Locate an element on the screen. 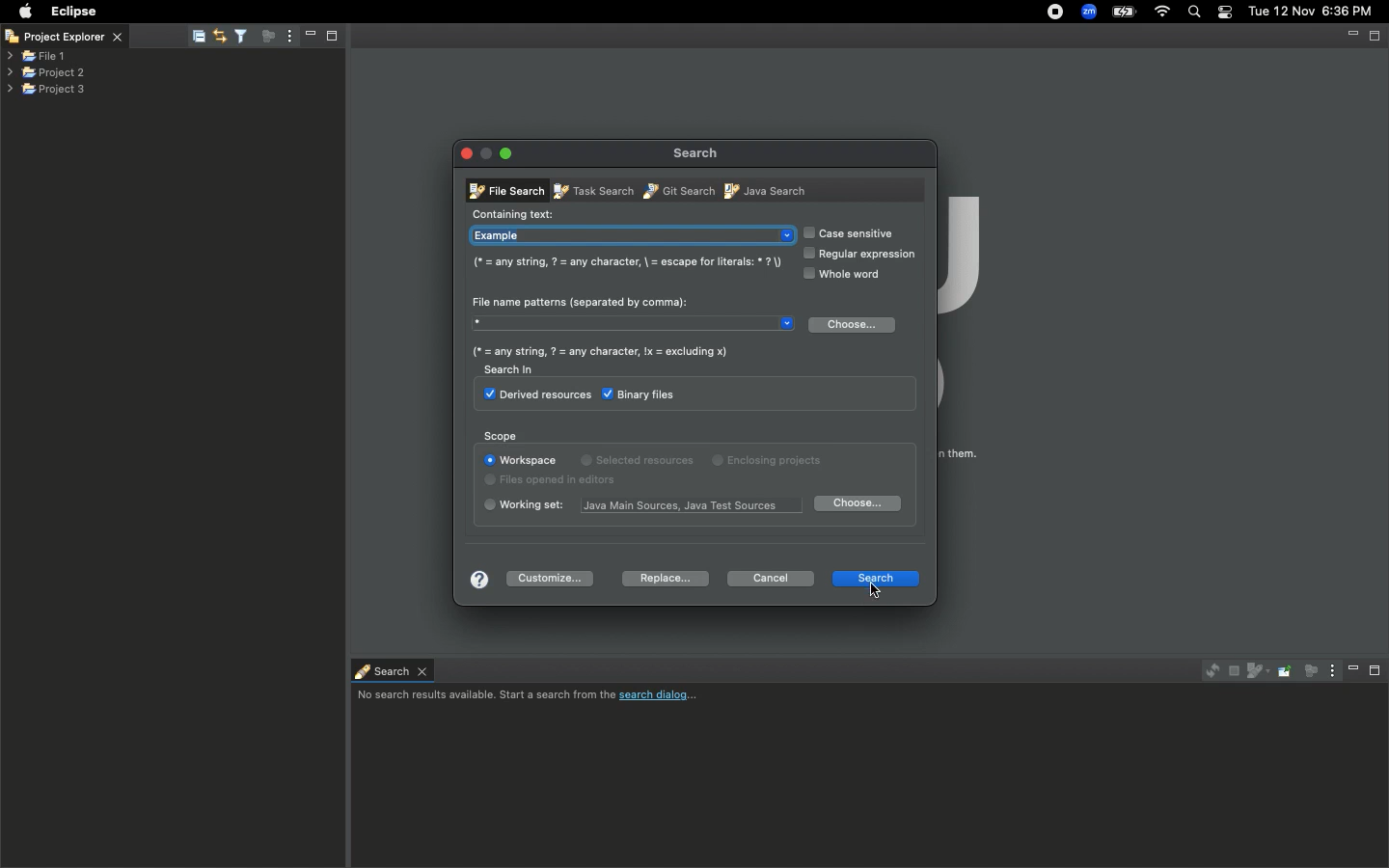  Project explorer is located at coordinates (77, 36).